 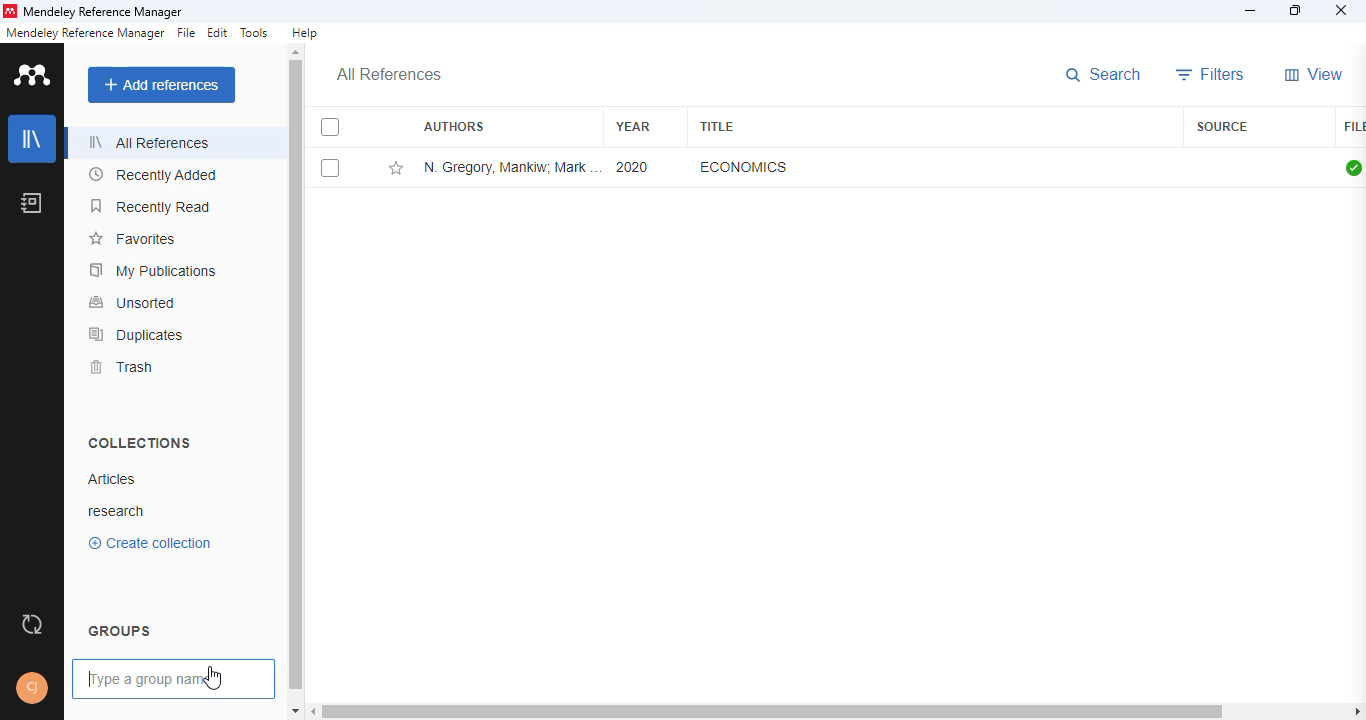 I want to click on filters, so click(x=1211, y=75).